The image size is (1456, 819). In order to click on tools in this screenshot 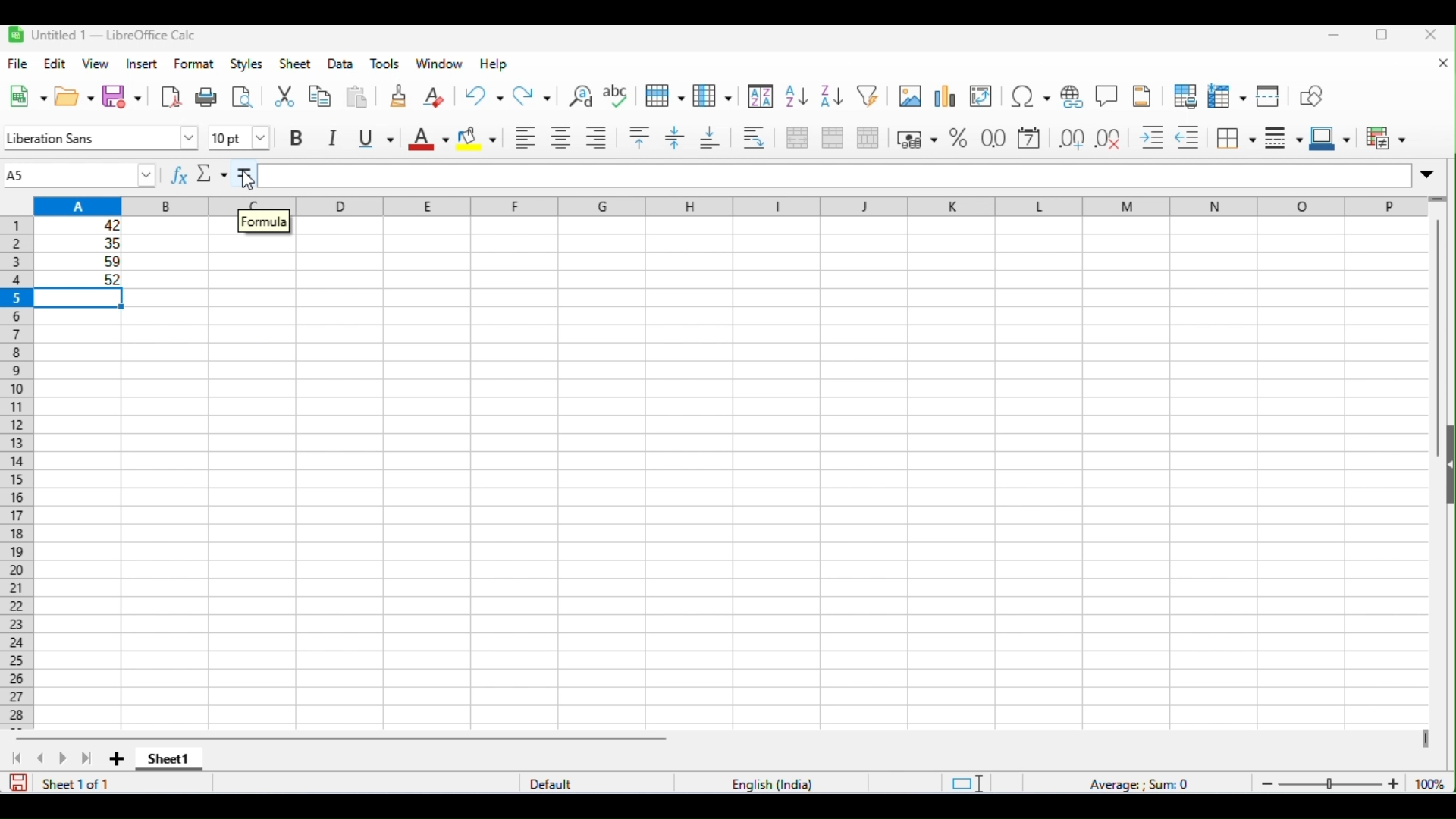, I will do `click(386, 64)`.